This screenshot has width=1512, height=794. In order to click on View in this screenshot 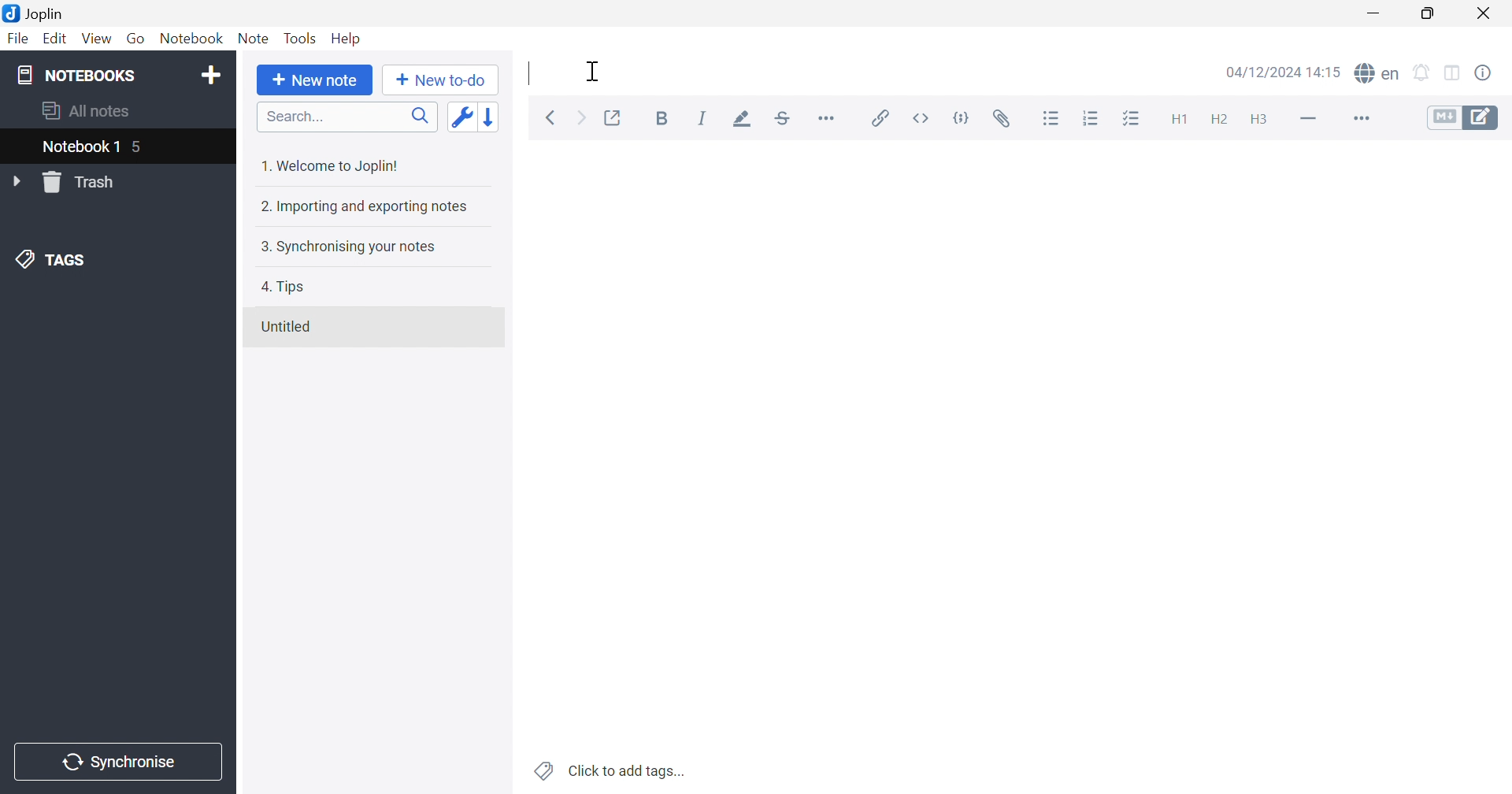, I will do `click(94, 39)`.